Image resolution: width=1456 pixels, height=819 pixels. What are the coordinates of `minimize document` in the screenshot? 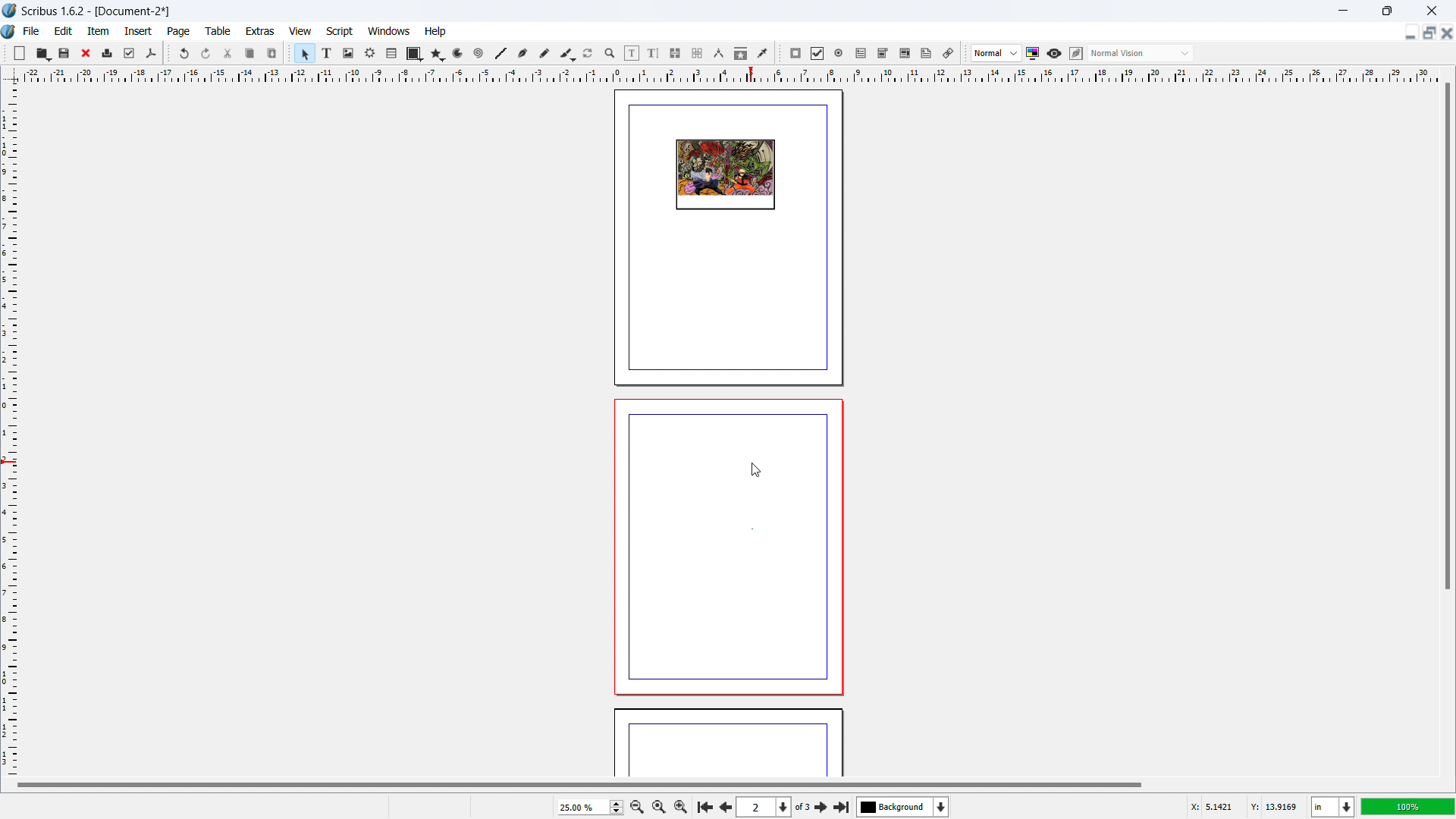 It's located at (1408, 34).